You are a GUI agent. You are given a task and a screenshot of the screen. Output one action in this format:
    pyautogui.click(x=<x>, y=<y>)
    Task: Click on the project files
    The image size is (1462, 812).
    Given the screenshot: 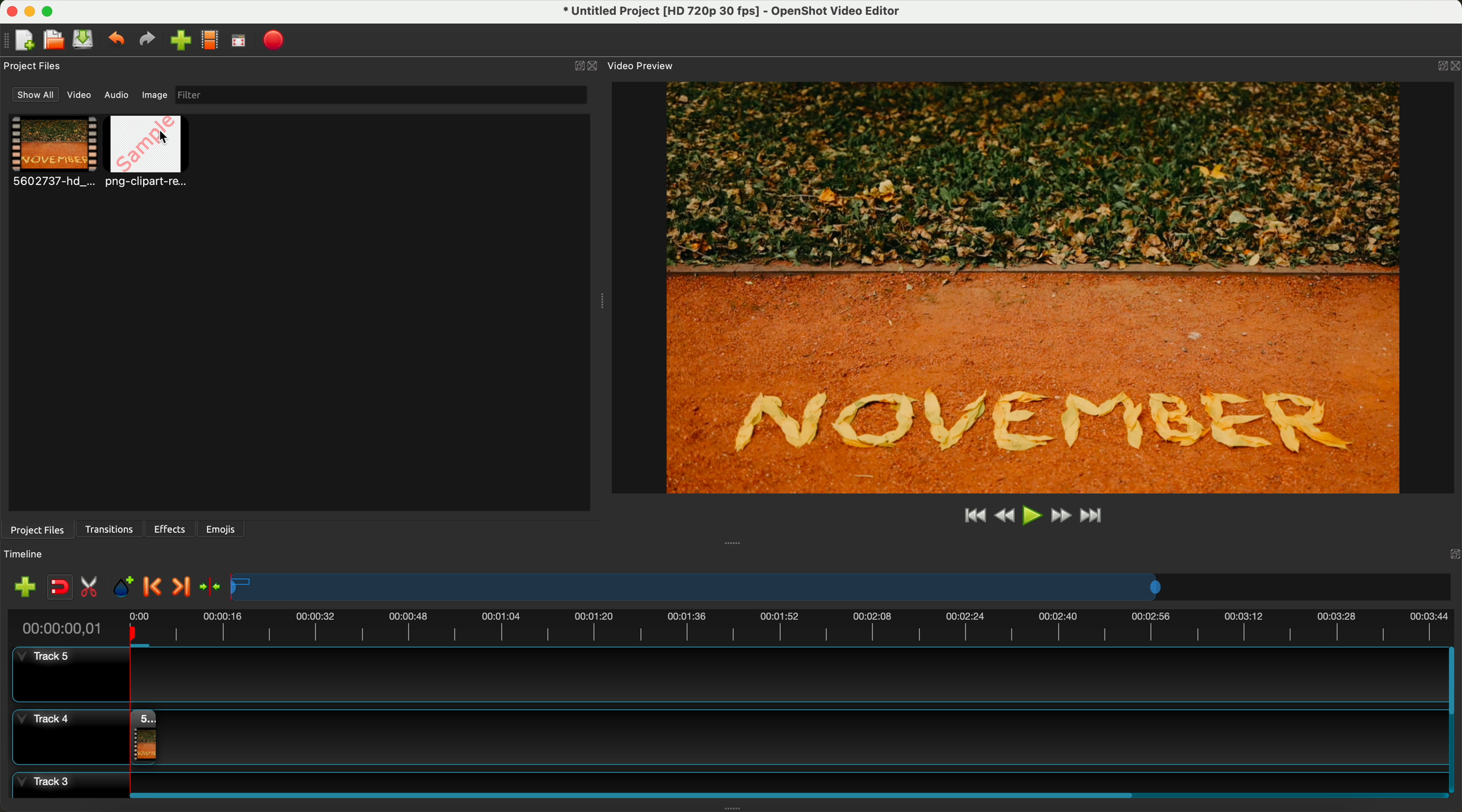 What is the action you would take?
    pyautogui.click(x=34, y=66)
    